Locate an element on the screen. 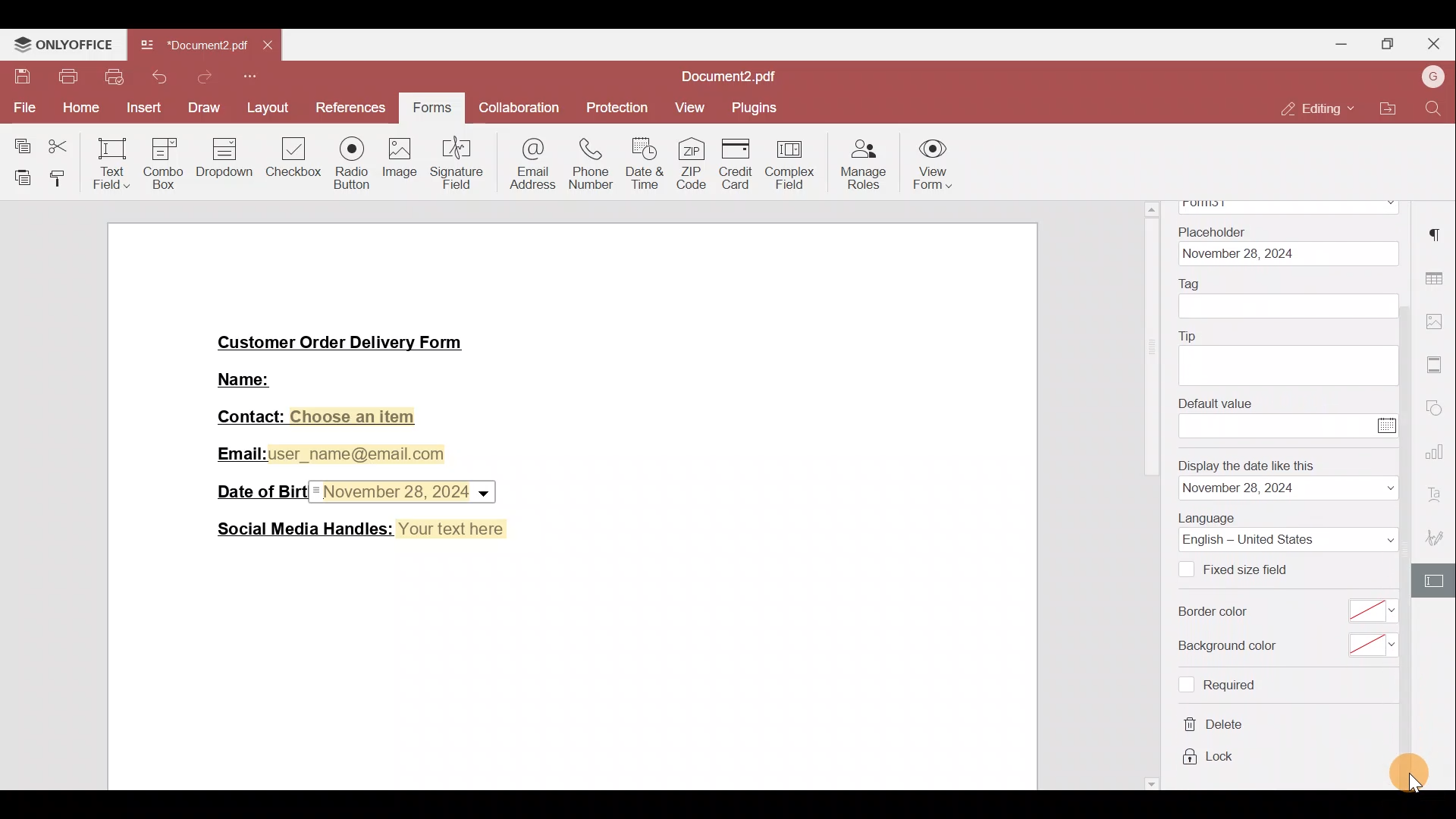 This screenshot has width=1456, height=819. Email:user_name@email.com is located at coordinates (327, 454).